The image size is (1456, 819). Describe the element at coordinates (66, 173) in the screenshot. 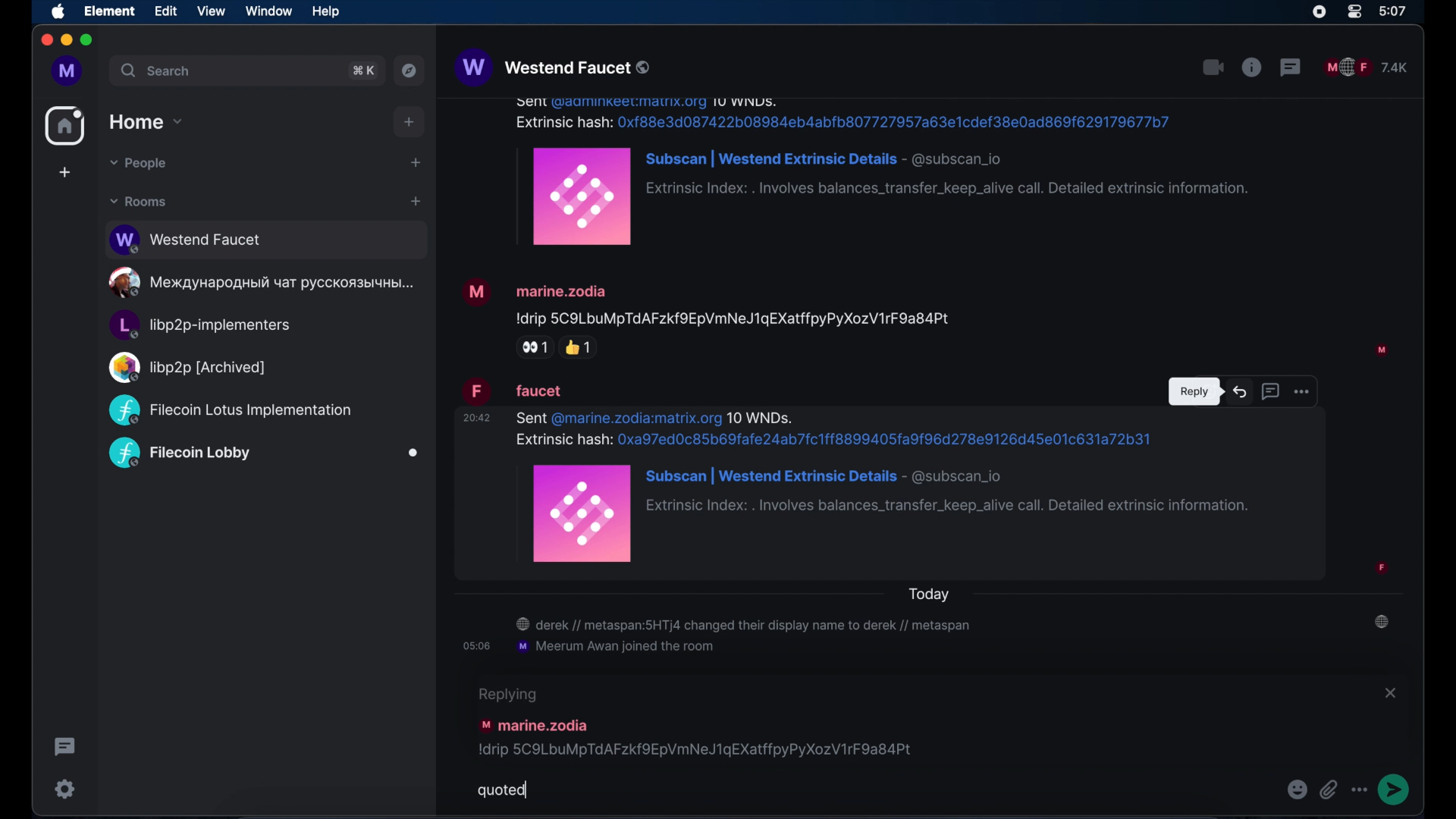

I see `create  space` at that location.